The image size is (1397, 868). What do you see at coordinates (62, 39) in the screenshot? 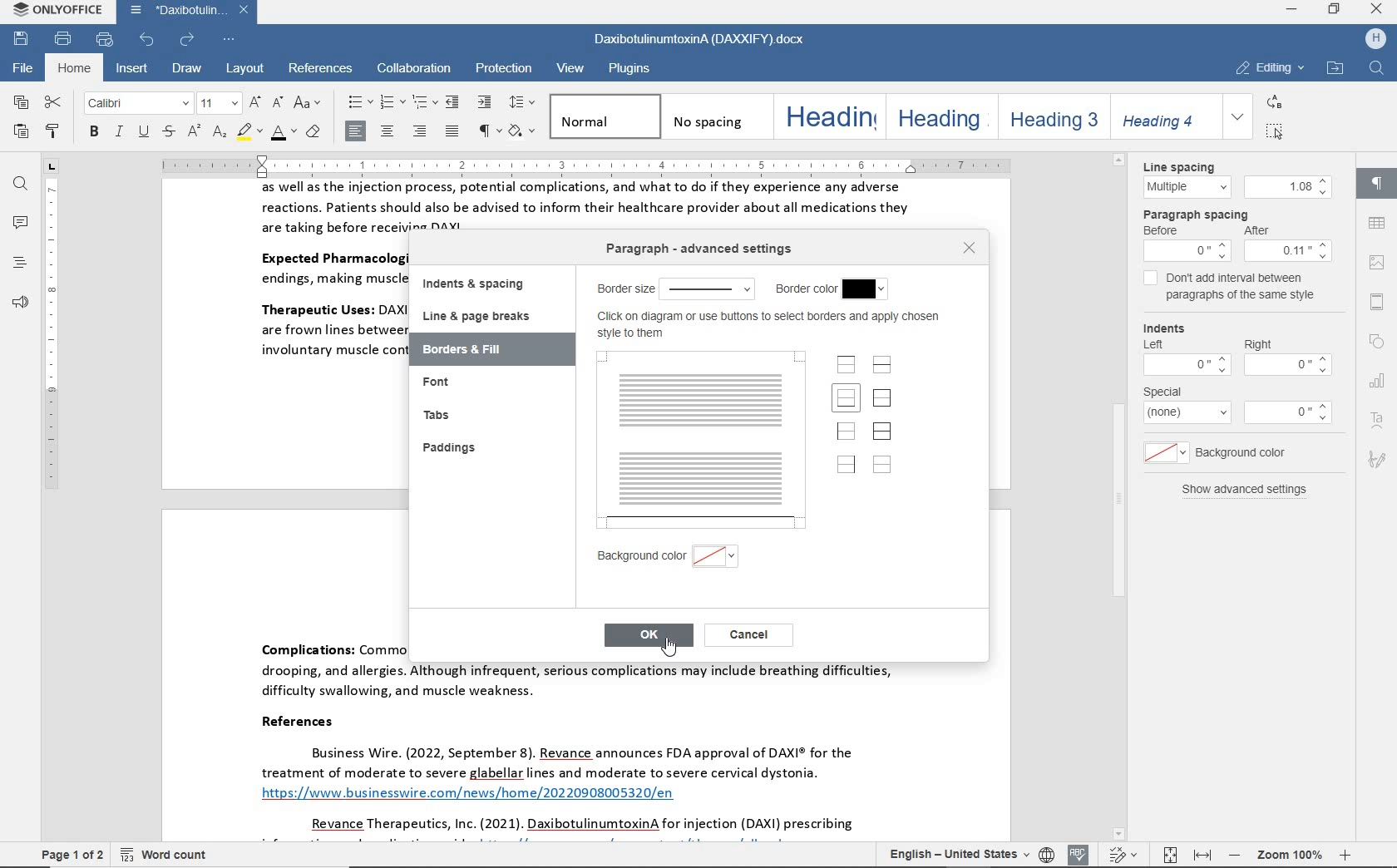
I see `print` at bounding box center [62, 39].